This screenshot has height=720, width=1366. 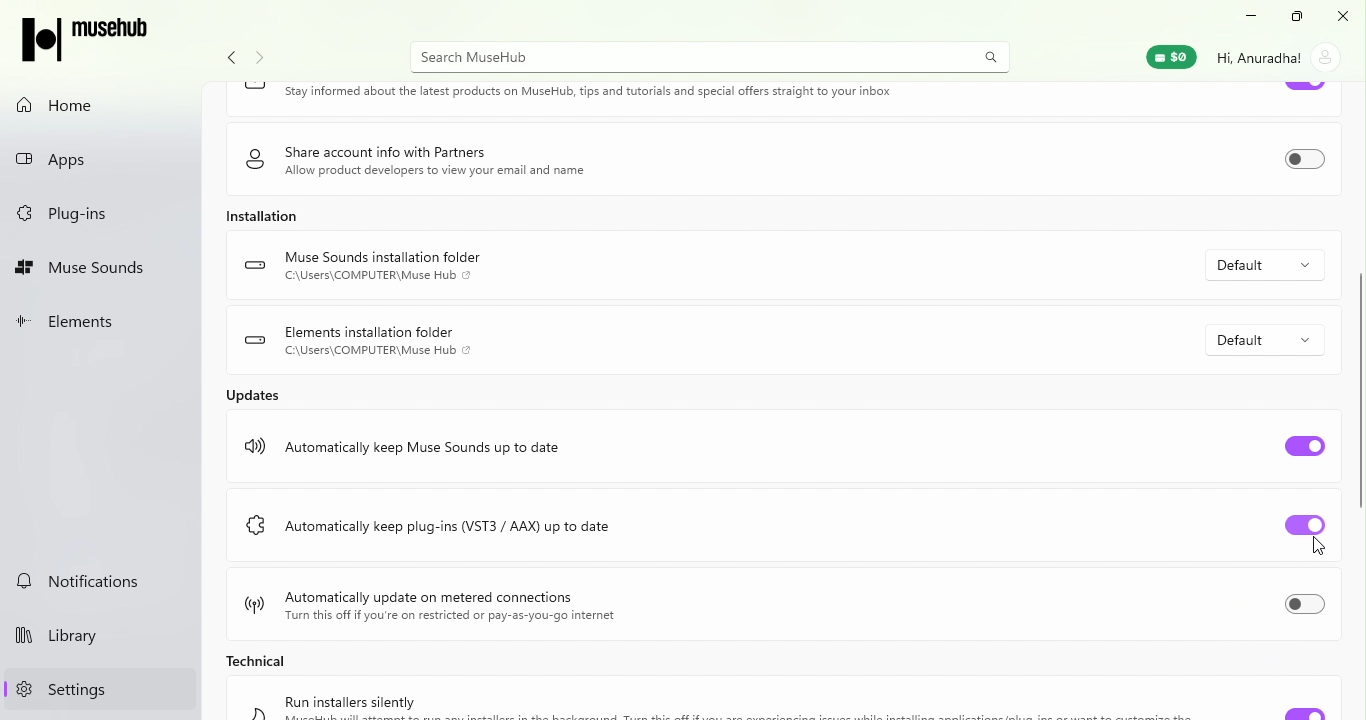 What do you see at coordinates (1303, 89) in the screenshot?
I see `Toggle` at bounding box center [1303, 89].